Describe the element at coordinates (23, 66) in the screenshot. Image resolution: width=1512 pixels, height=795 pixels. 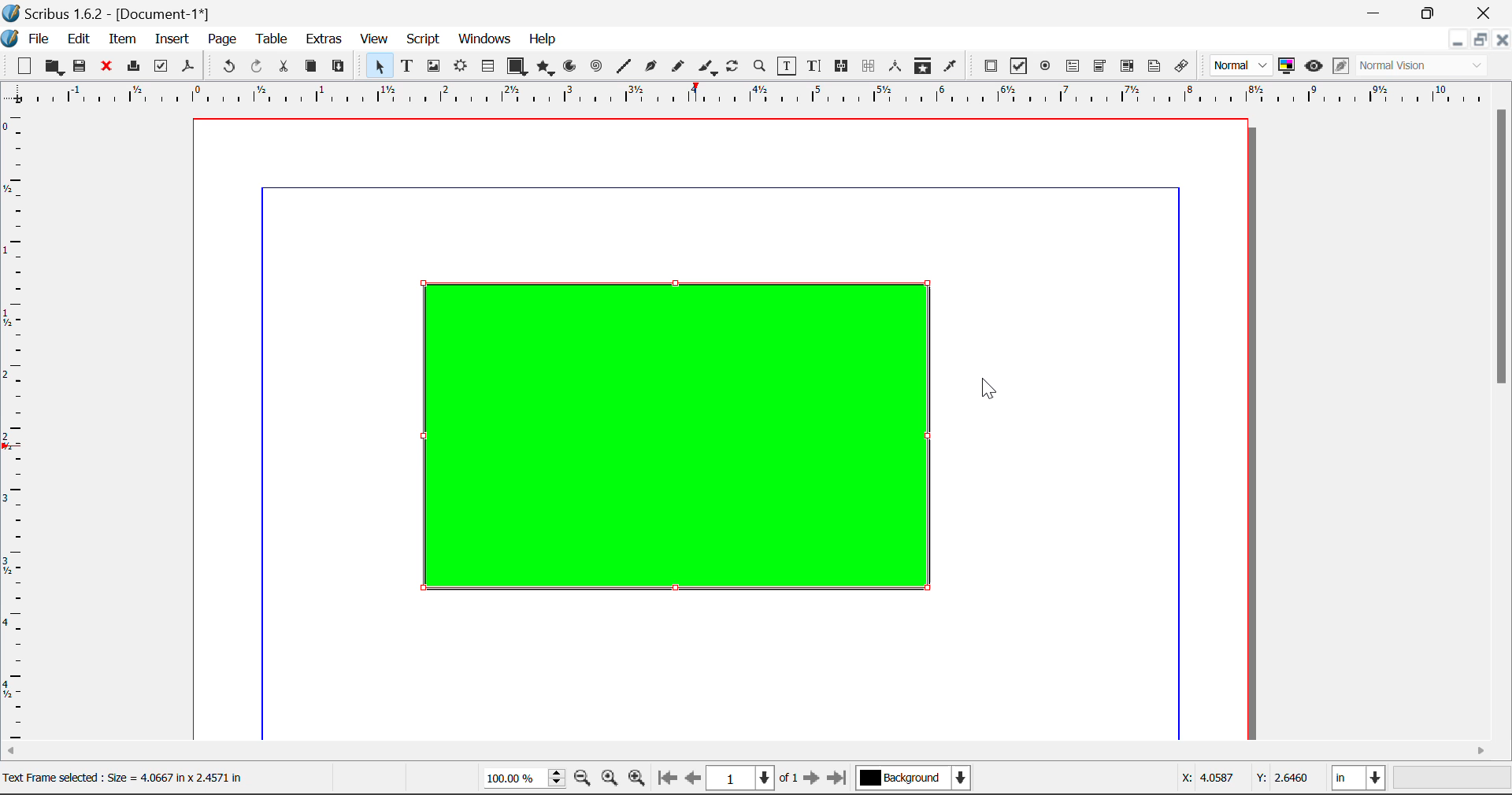
I see `New` at that location.